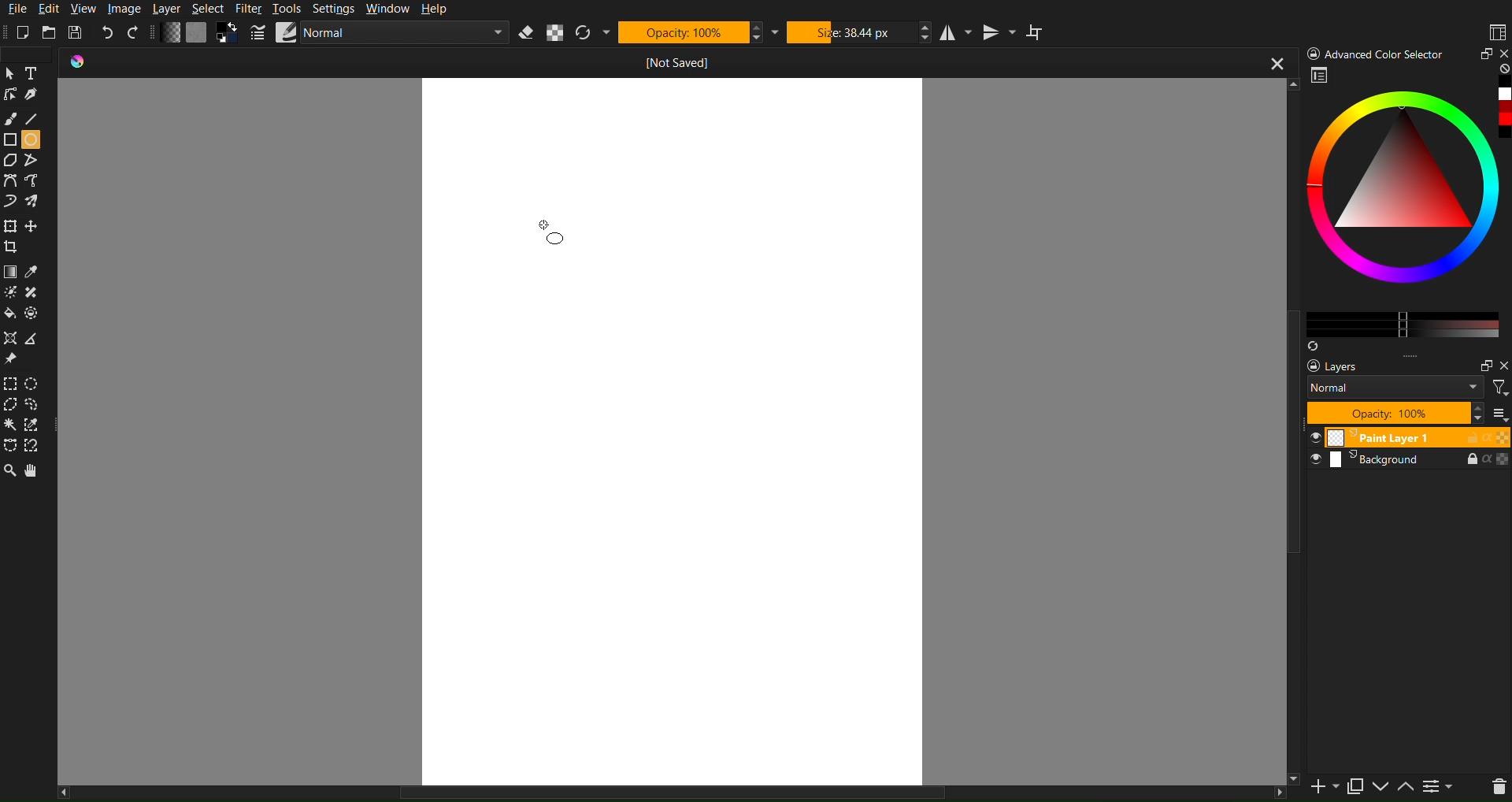 This screenshot has height=802, width=1512. Describe the element at coordinates (673, 790) in the screenshot. I see `horizontal scrollbar` at that location.